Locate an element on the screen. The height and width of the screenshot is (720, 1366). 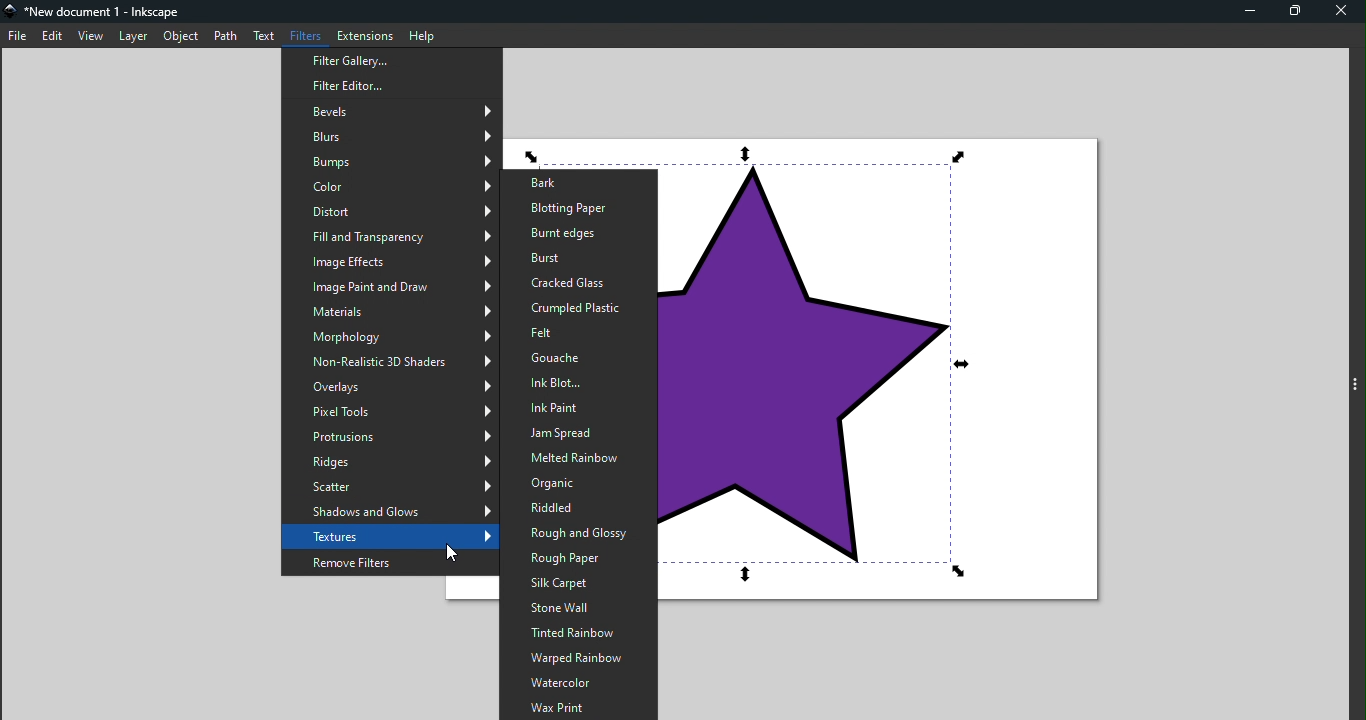
Distort is located at coordinates (389, 210).